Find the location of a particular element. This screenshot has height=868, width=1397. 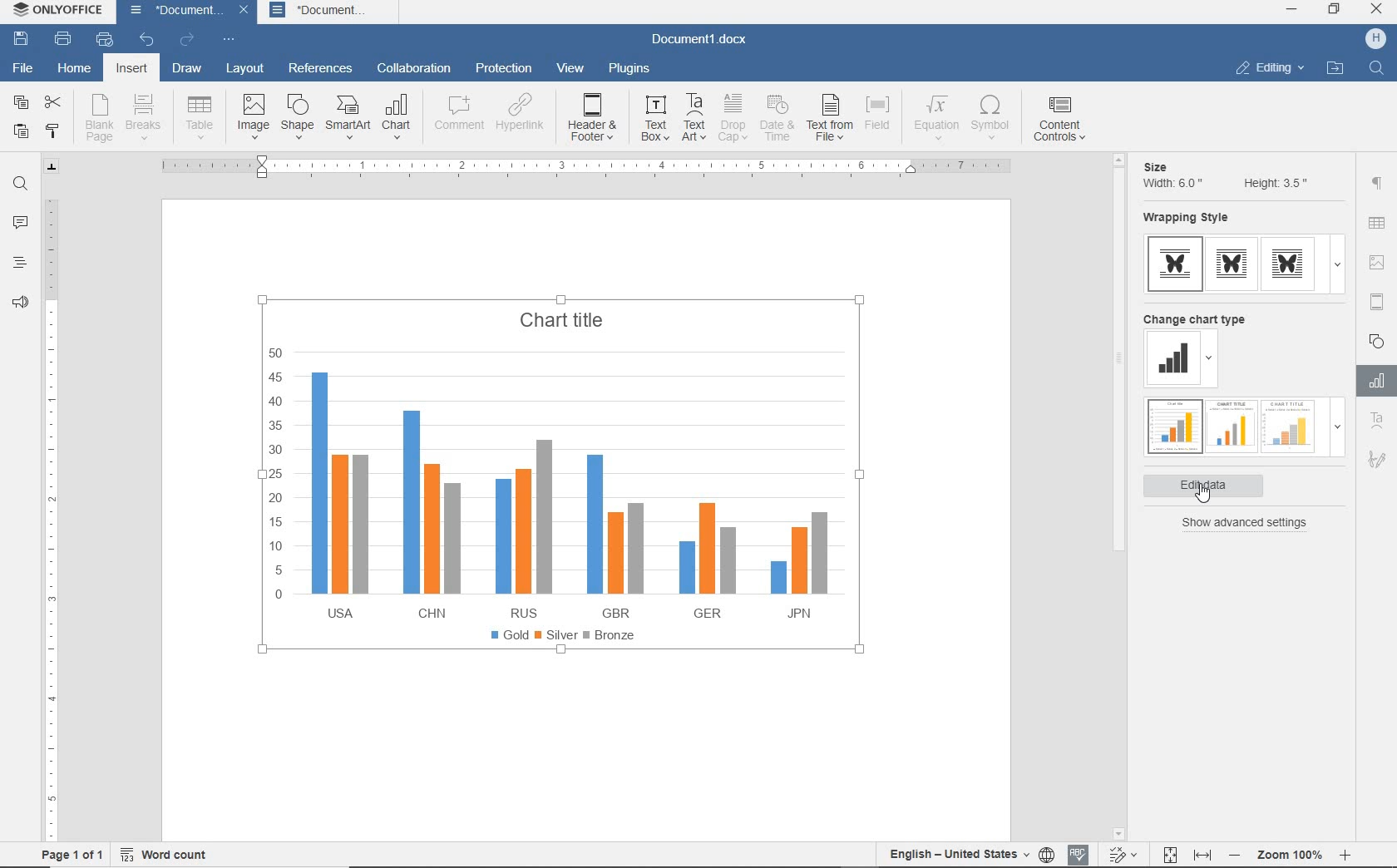

save is located at coordinates (22, 40).